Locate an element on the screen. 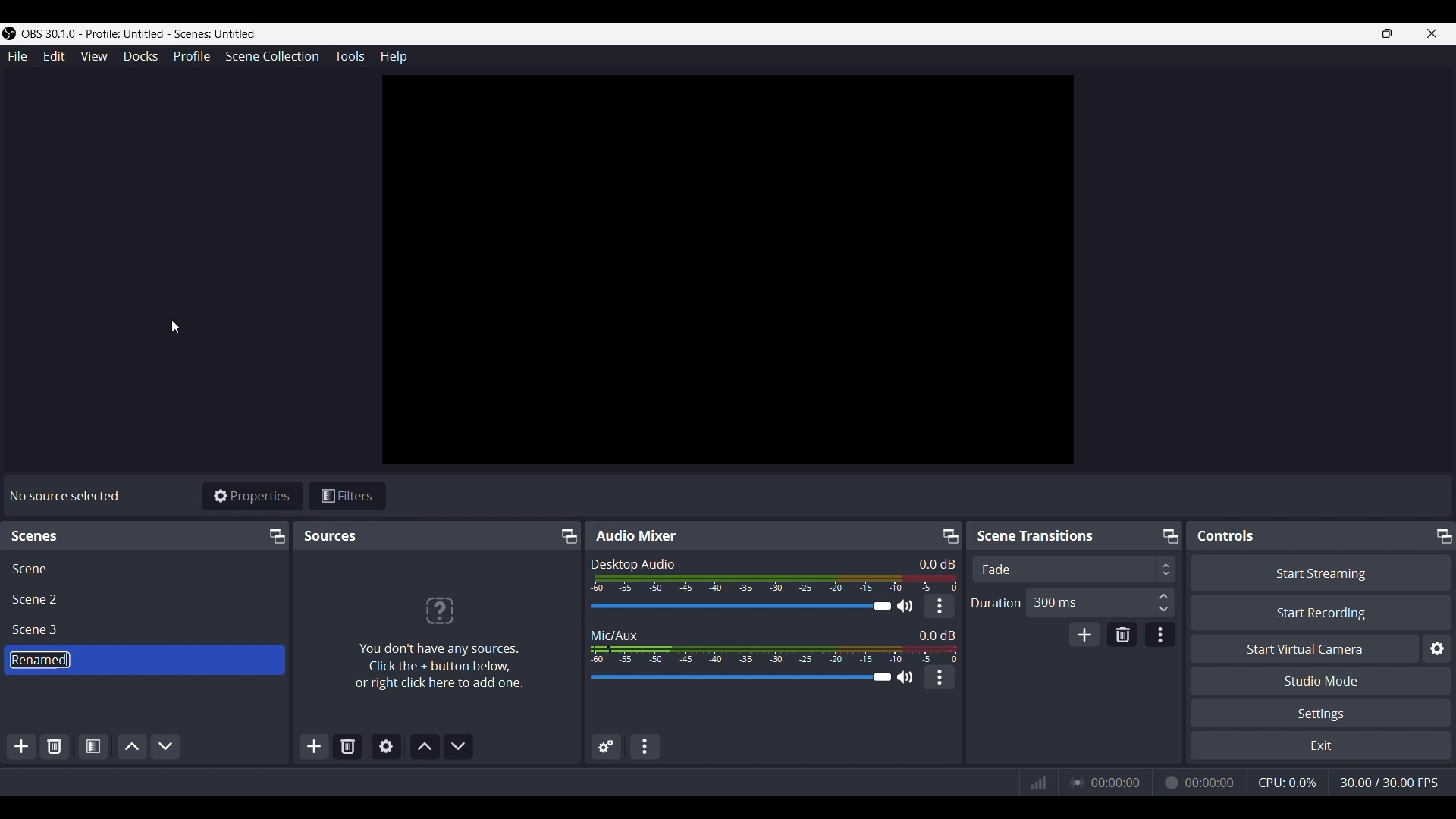   Undock/Pop-out icon is located at coordinates (1442, 534).